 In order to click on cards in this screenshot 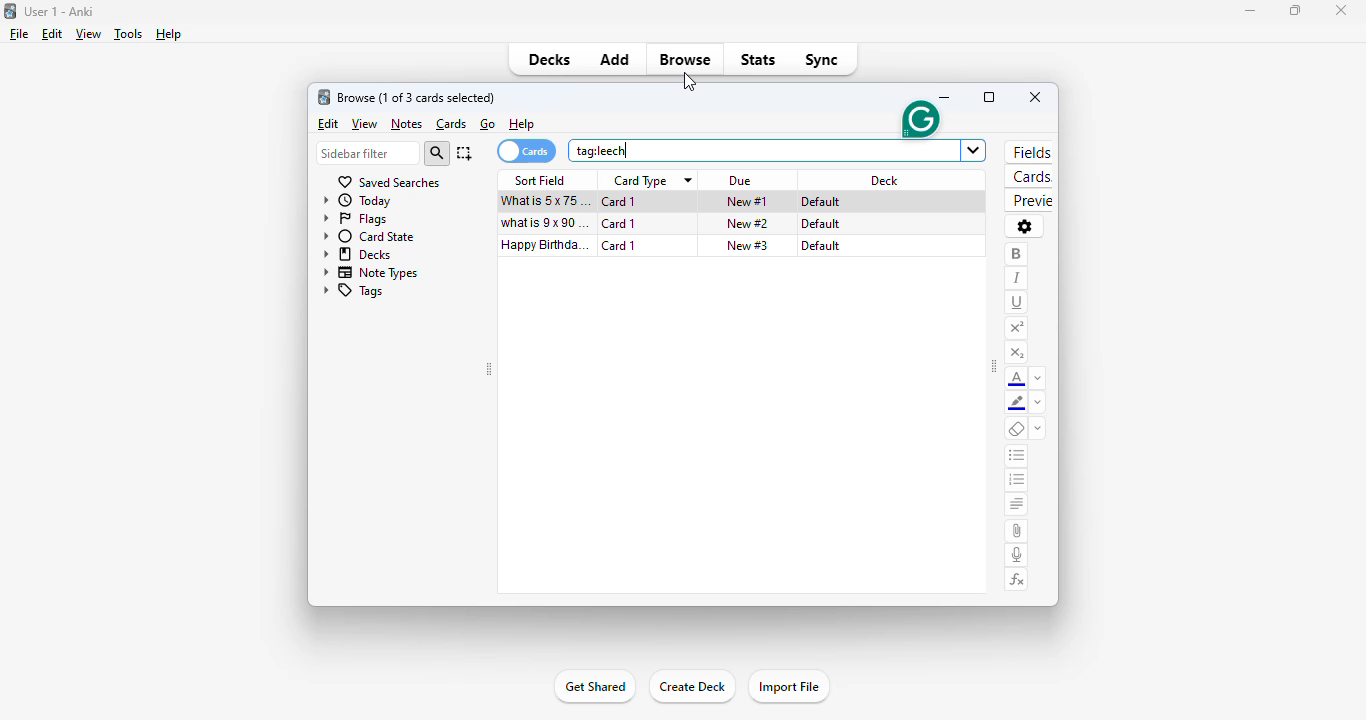, I will do `click(527, 151)`.